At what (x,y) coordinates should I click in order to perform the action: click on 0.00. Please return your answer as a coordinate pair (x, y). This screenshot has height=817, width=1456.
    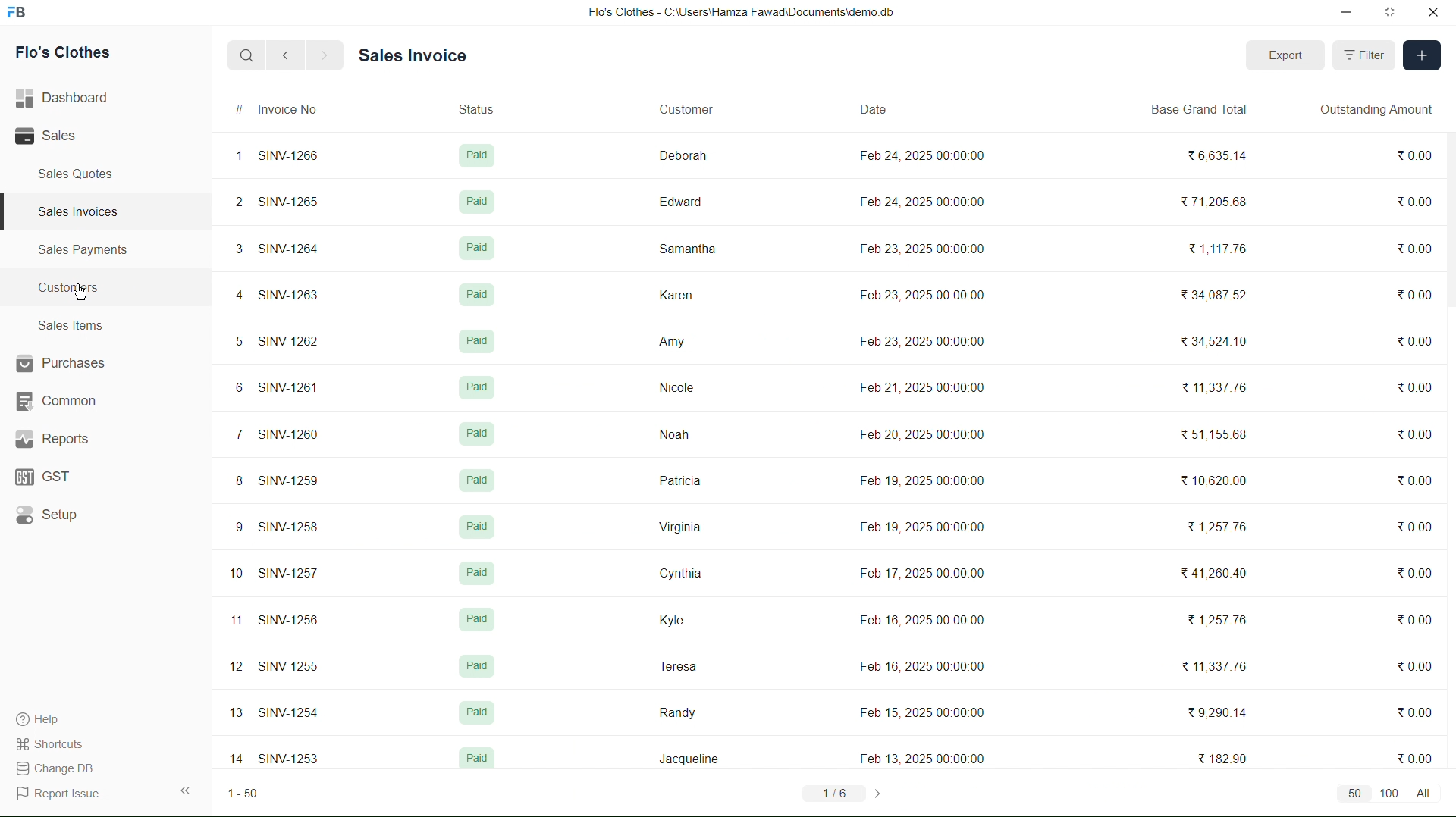
    Looking at the image, I should click on (1417, 290).